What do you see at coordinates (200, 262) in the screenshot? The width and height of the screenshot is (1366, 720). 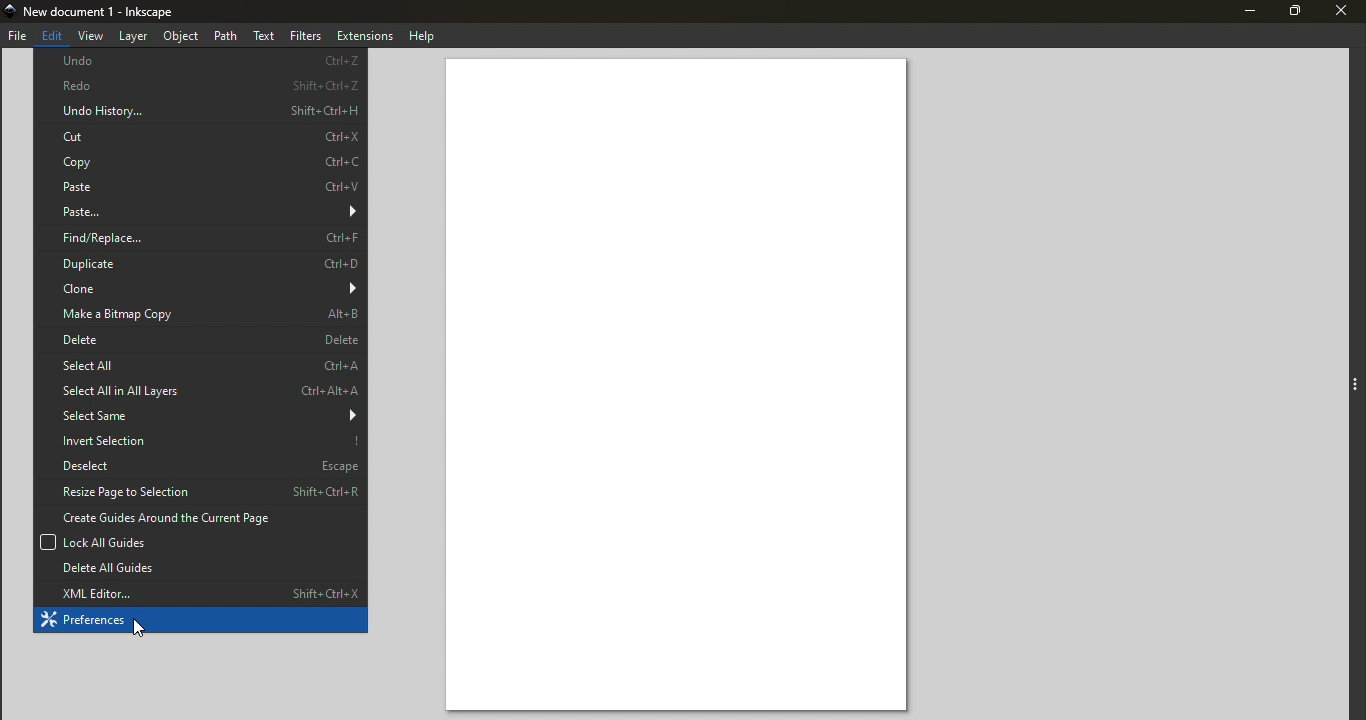 I see `Duplicate` at bounding box center [200, 262].